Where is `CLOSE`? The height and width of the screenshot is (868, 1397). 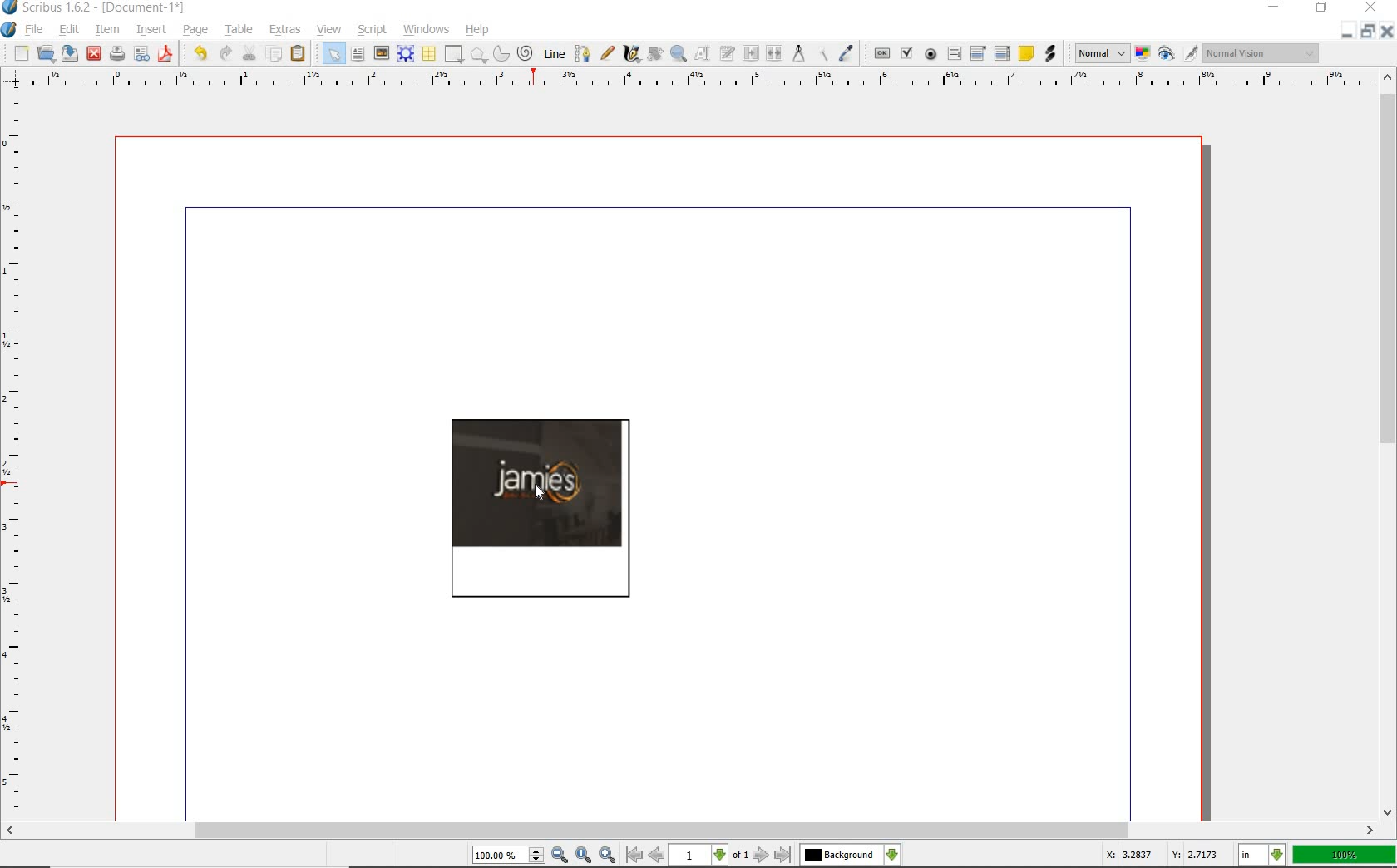 CLOSE is located at coordinates (1385, 31).